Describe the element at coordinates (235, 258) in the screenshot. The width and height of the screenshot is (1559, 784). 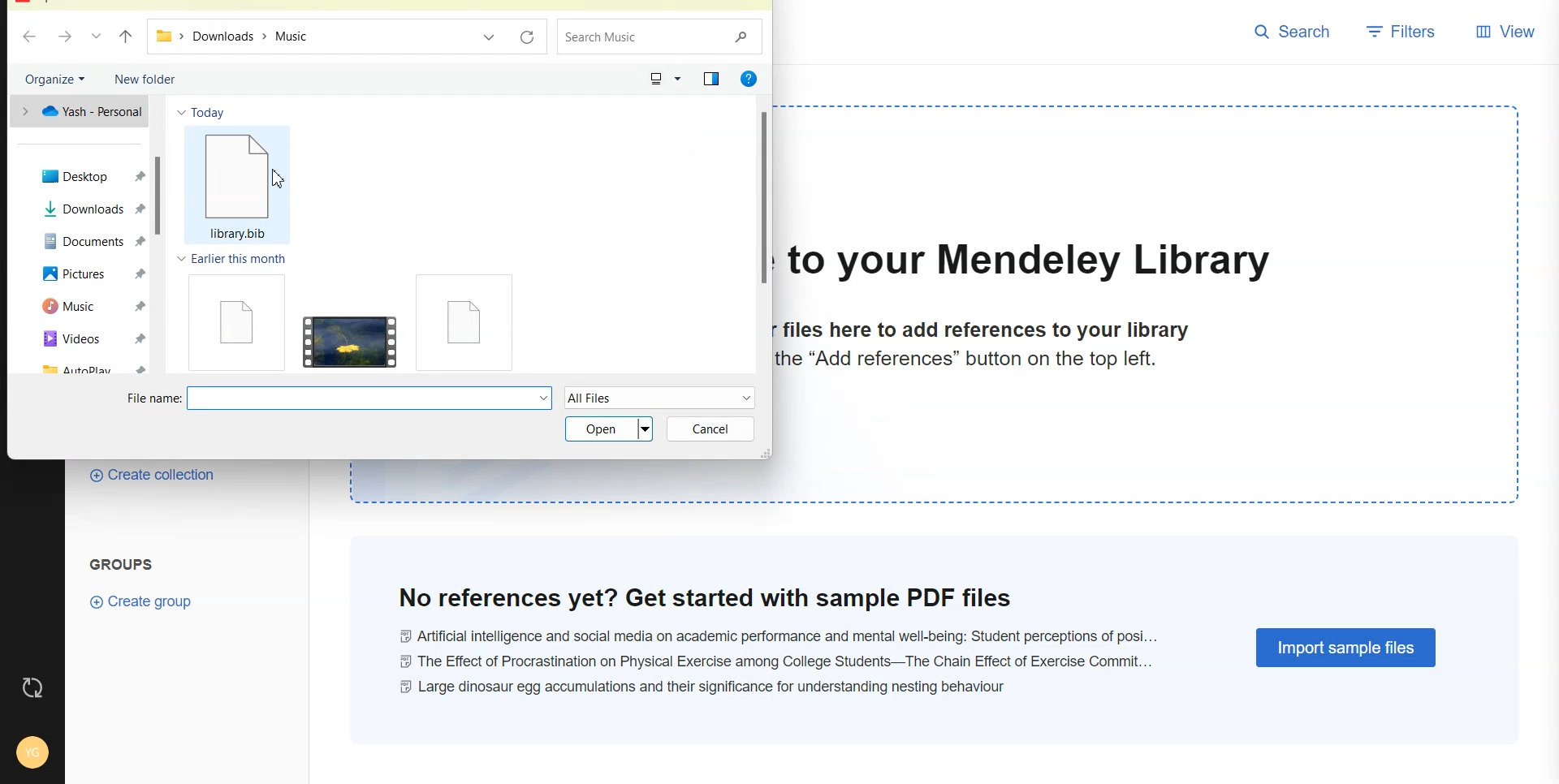
I see `Earlier this month` at that location.